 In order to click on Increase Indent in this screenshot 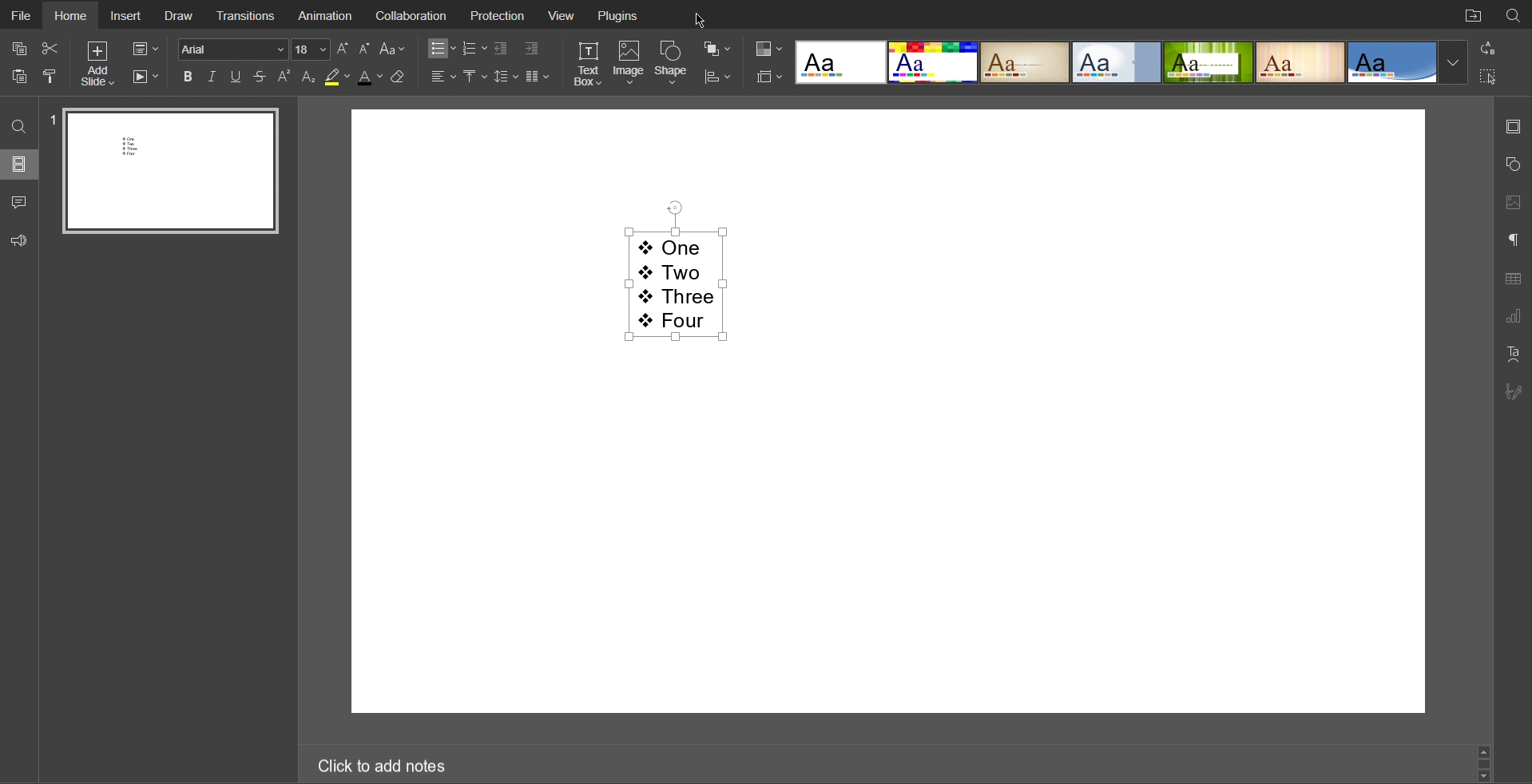, I will do `click(529, 49)`.